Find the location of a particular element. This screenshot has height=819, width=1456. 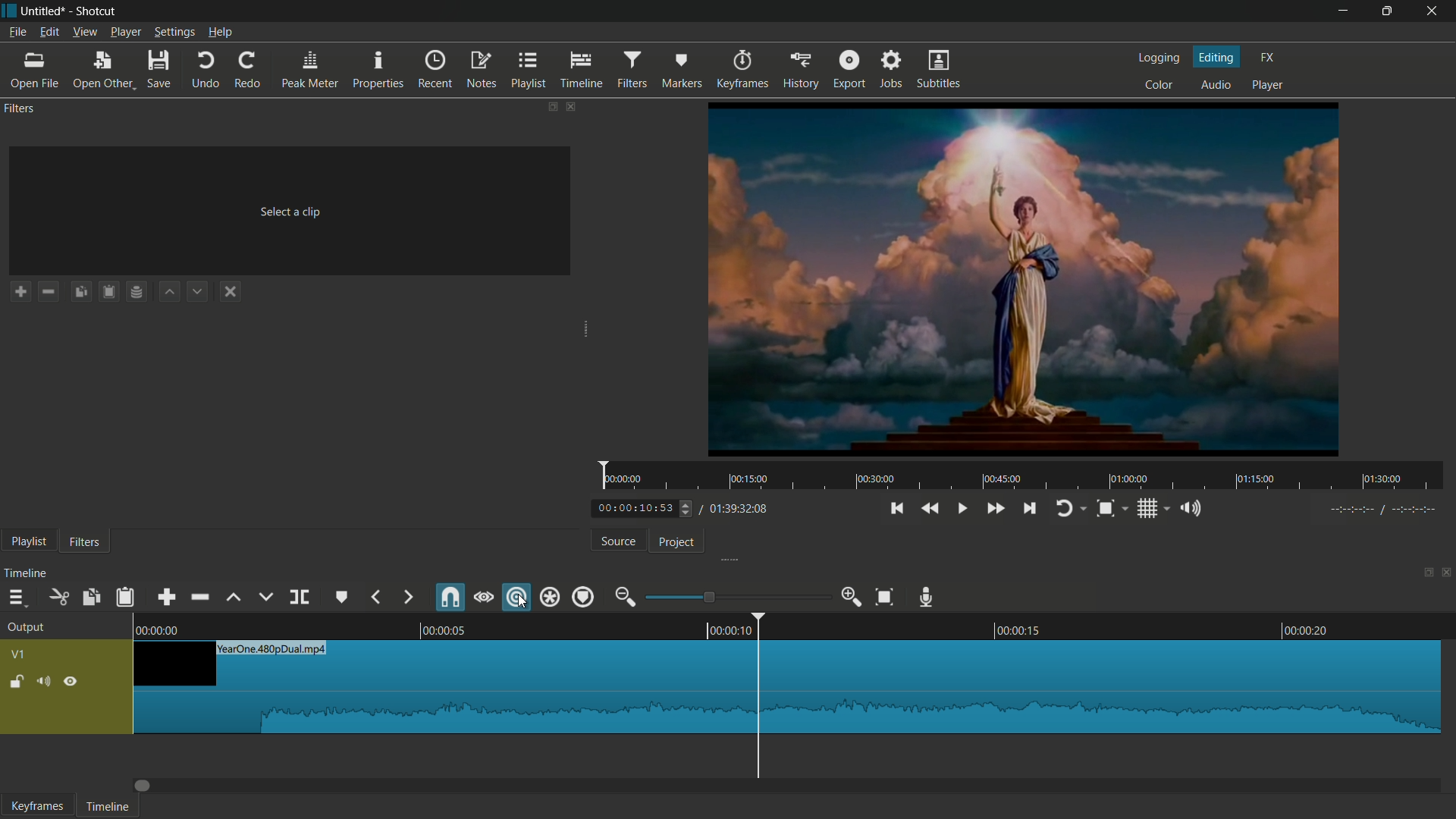

player is located at coordinates (1269, 86).